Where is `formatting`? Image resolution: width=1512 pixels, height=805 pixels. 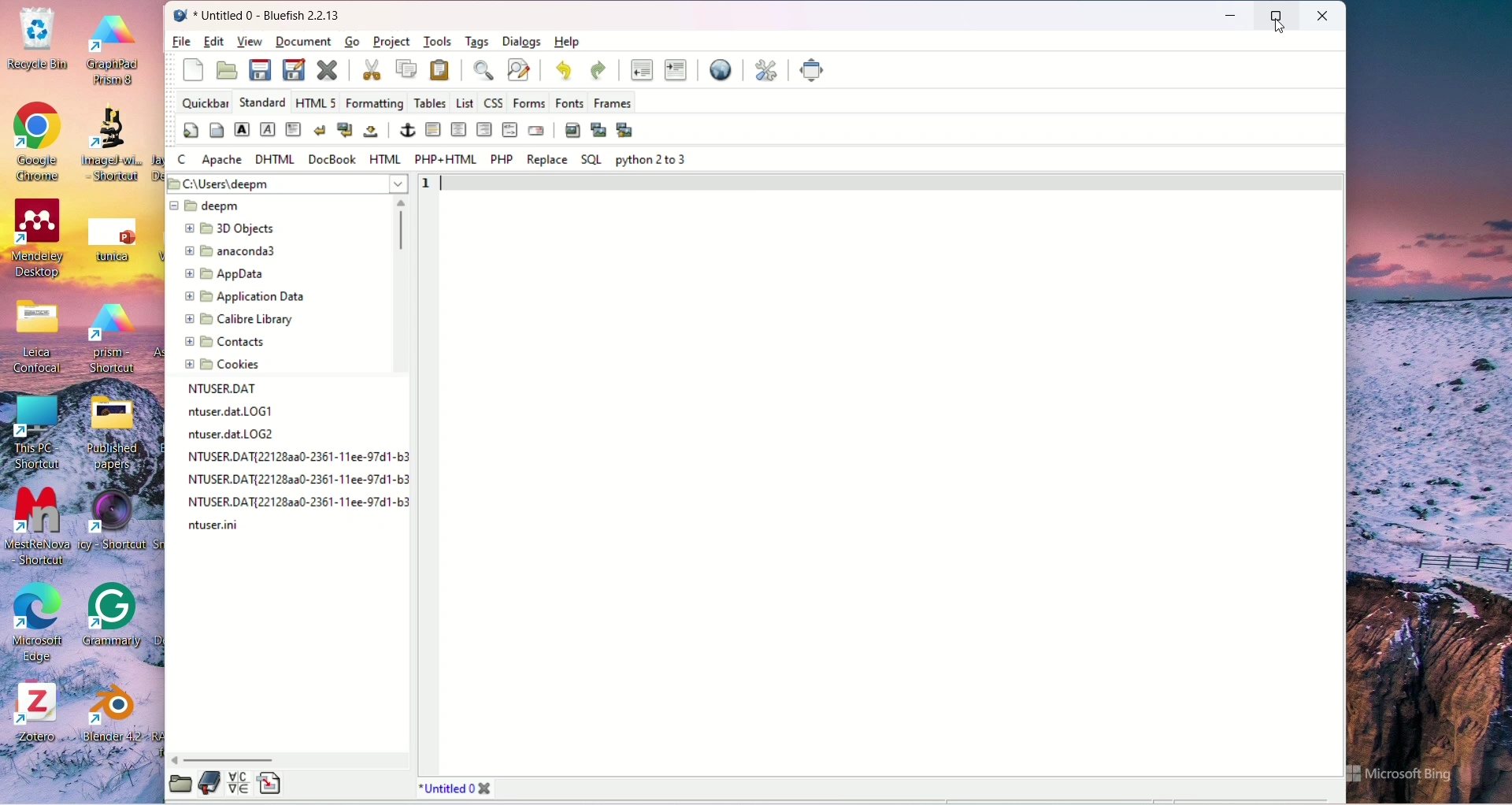 formatting is located at coordinates (374, 102).